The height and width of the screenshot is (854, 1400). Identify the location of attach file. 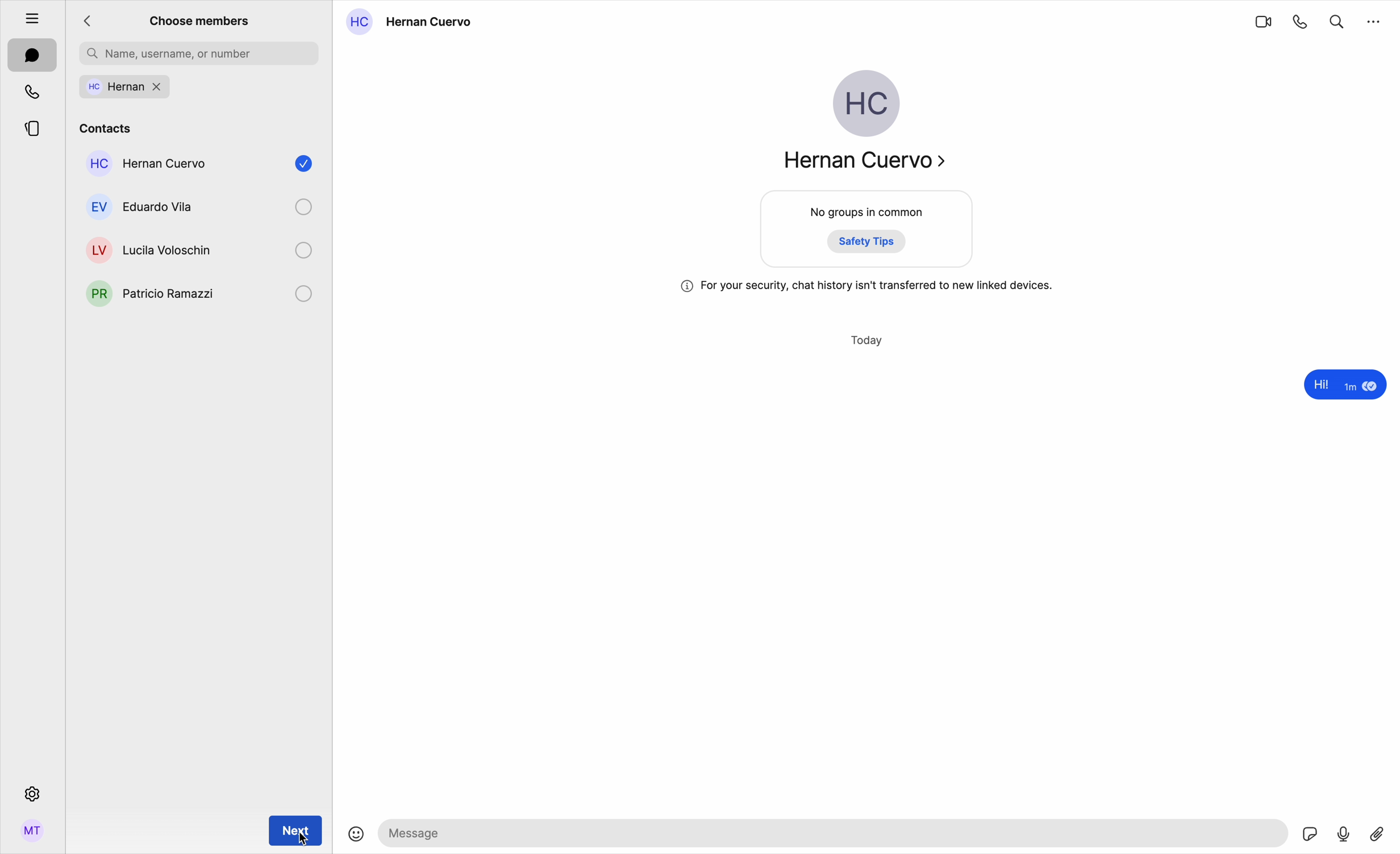
(1379, 832).